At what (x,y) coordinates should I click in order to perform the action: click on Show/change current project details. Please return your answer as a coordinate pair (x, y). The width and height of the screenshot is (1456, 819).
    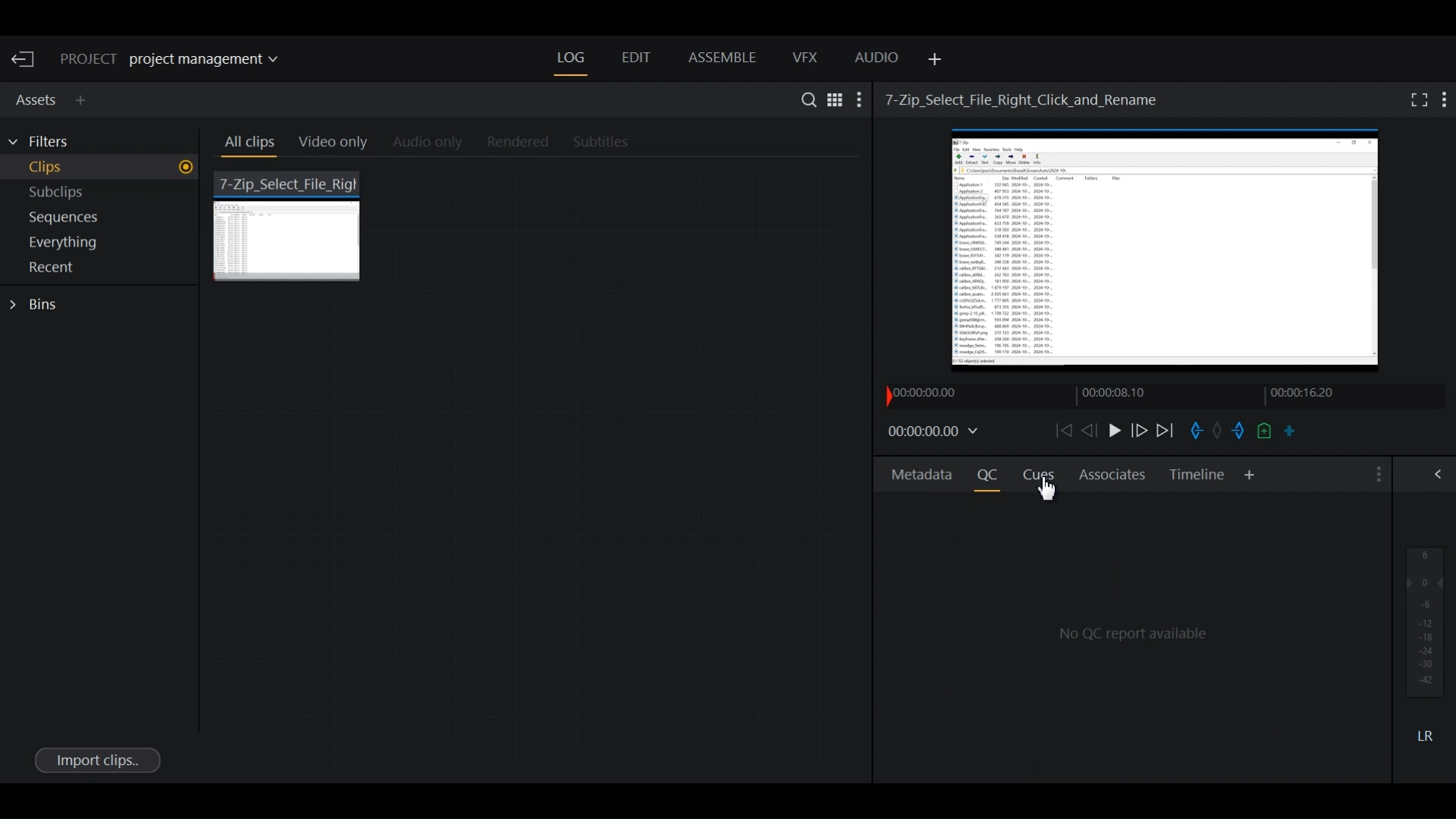
    Looking at the image, I should click on (180, 60).